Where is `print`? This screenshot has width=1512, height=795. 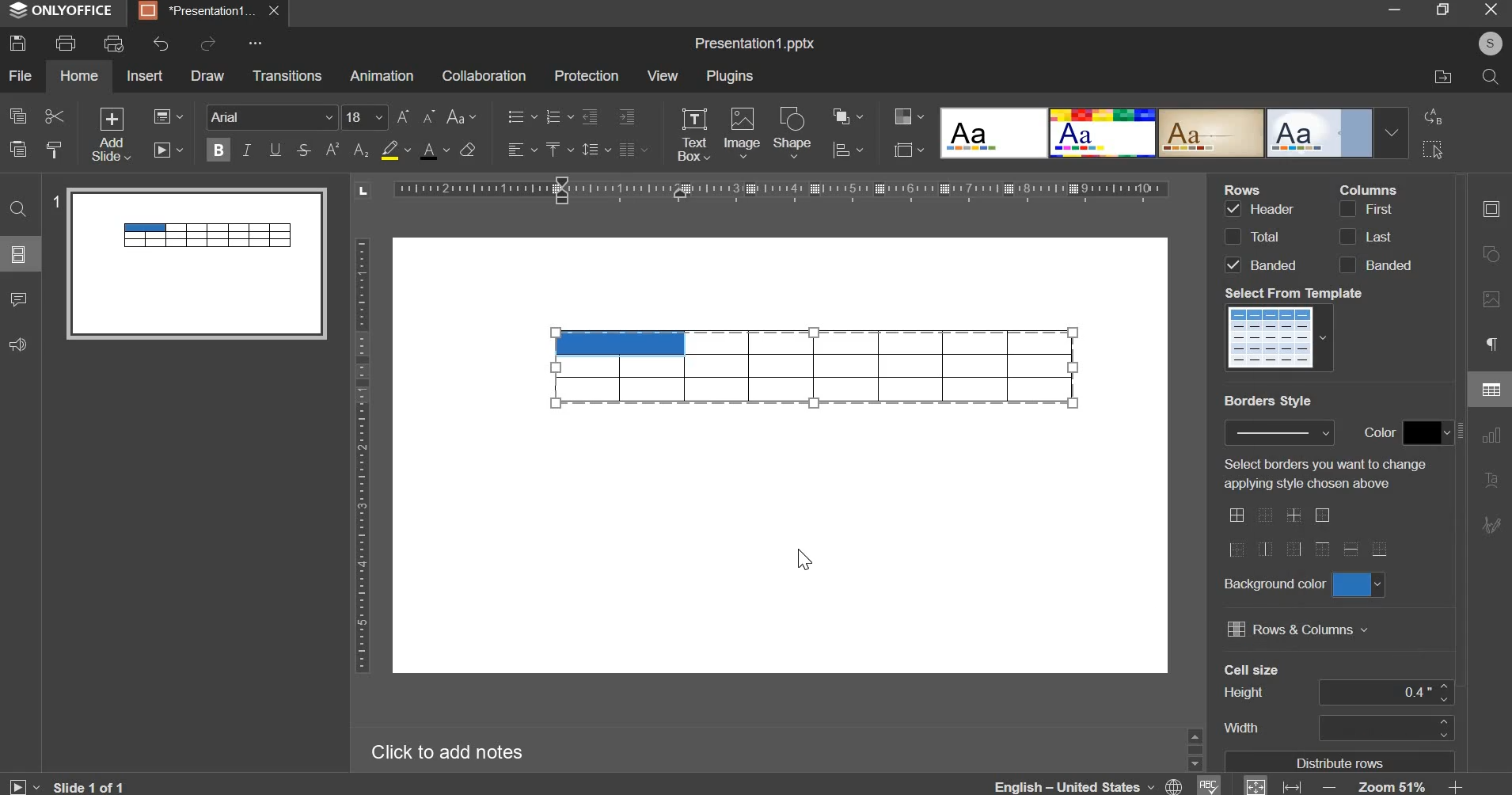 print is located at coordinates (66, 43).